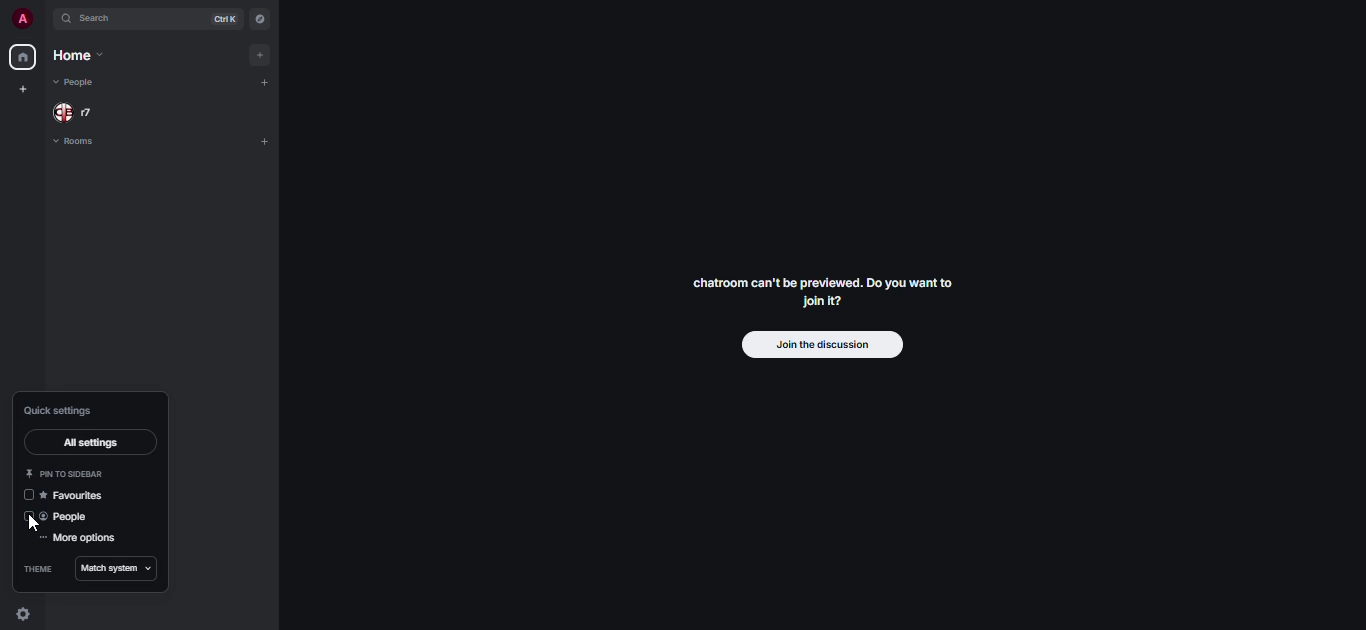 This screenshot has height=630, width=1366. I want to click on quick settings, so click(24, 615).